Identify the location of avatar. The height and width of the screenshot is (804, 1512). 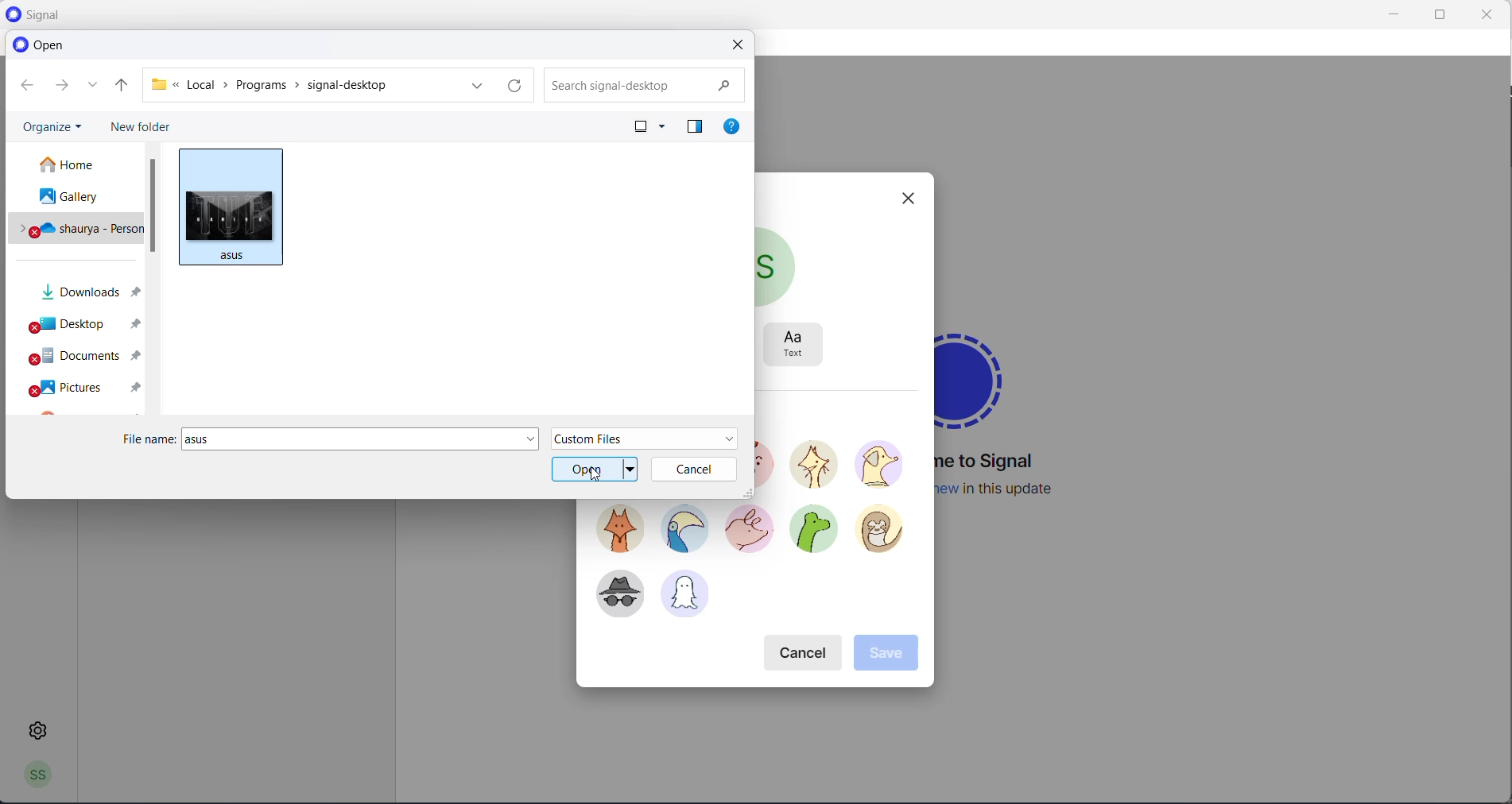
(682, 527).